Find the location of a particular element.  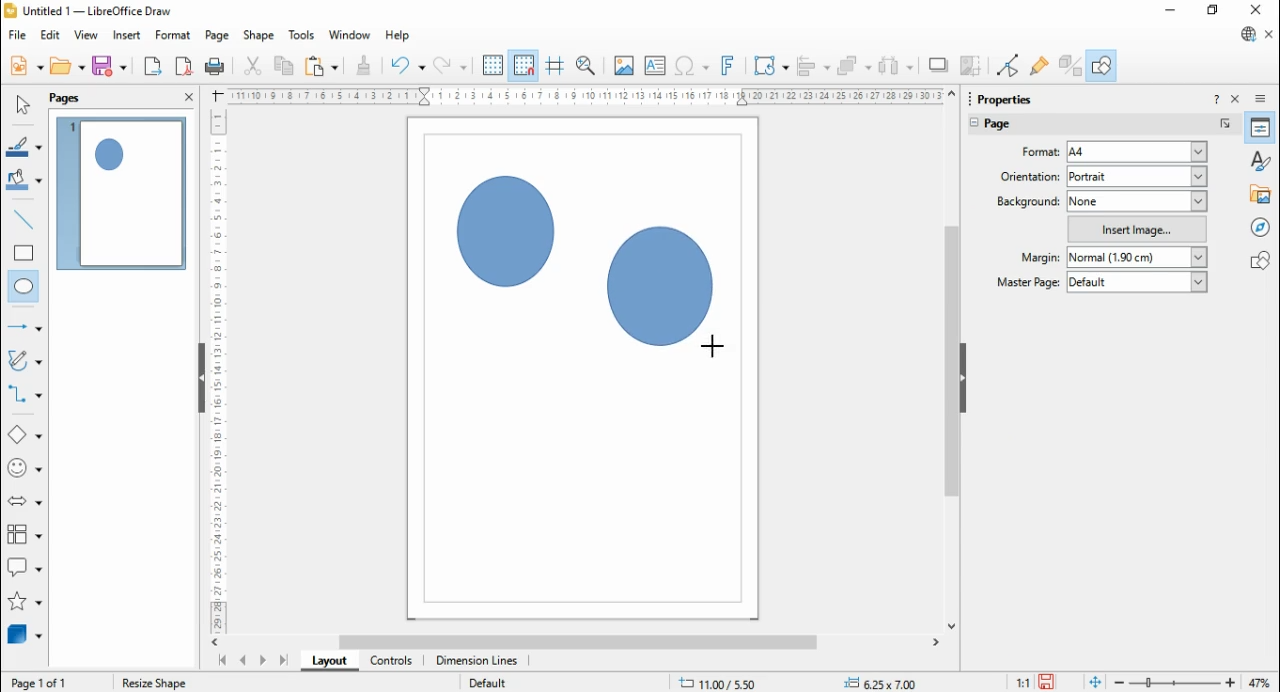

libre office update is located at coordinates (1247, 34).